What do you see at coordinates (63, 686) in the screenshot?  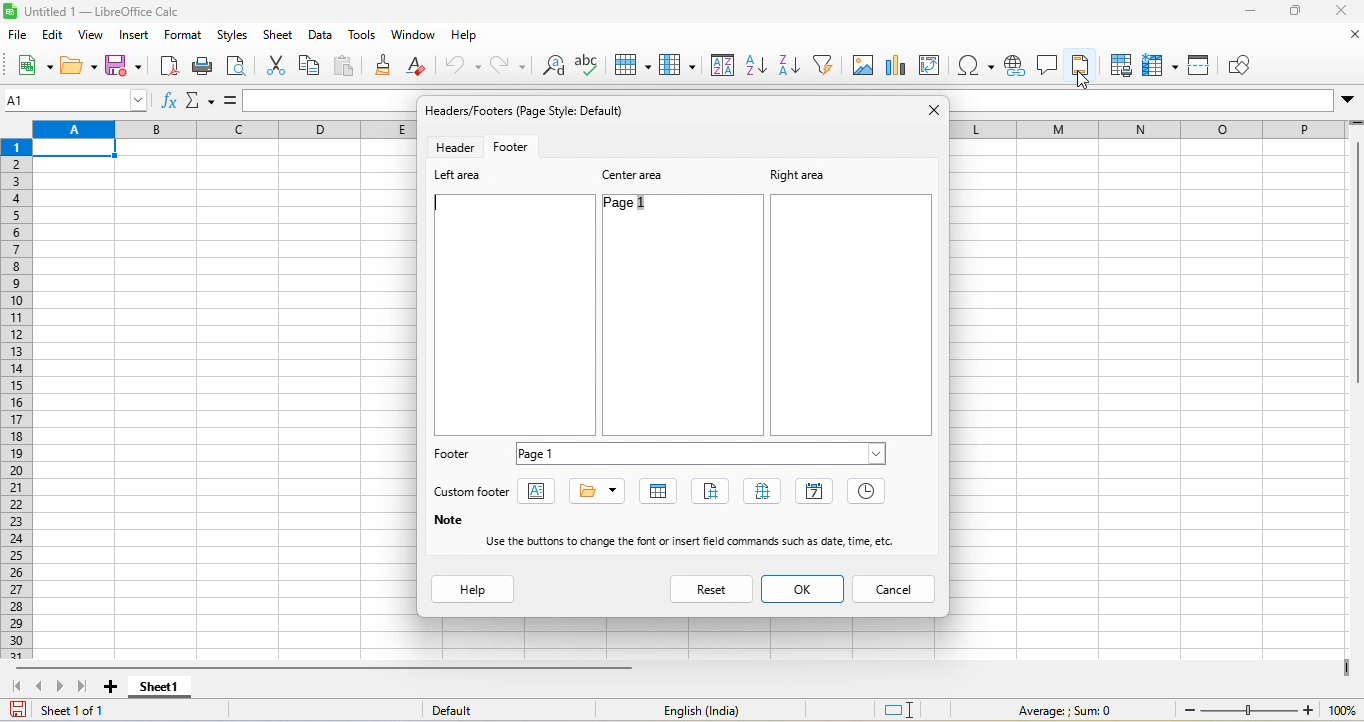 I see `next sheet` at bounding box center [63, 686].